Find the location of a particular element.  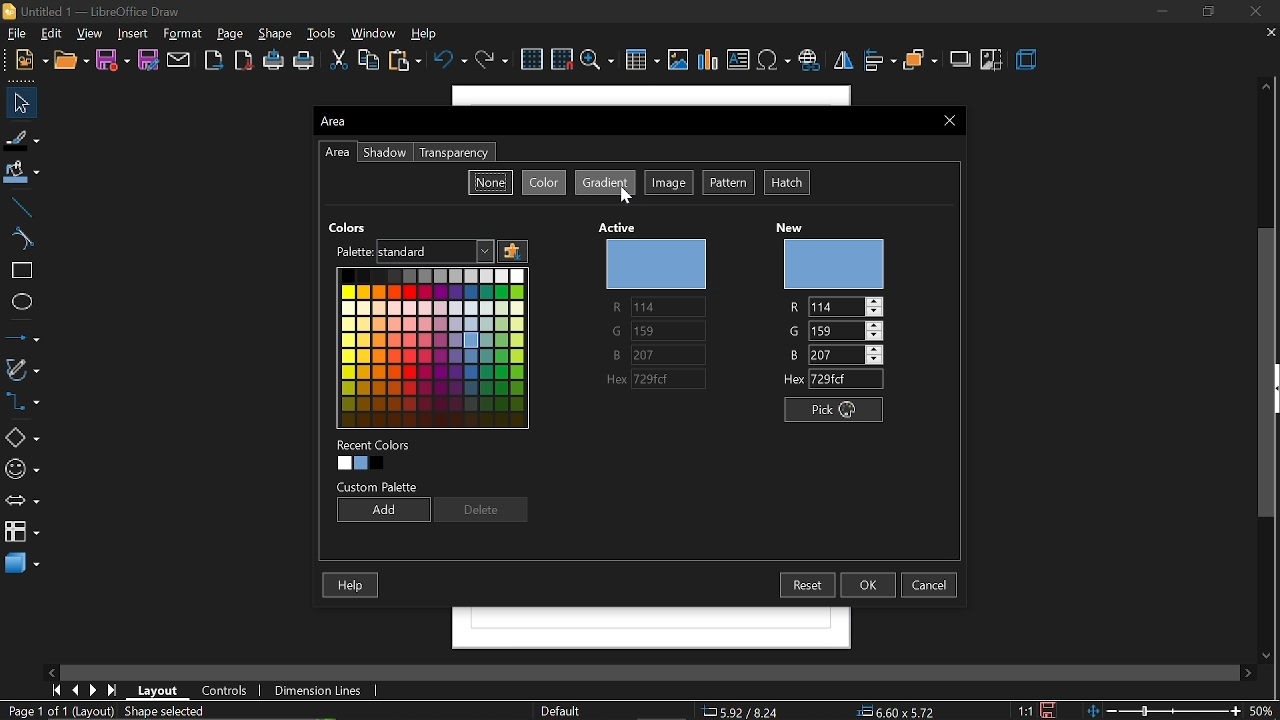

Move left is located at coordinates (54, 670).